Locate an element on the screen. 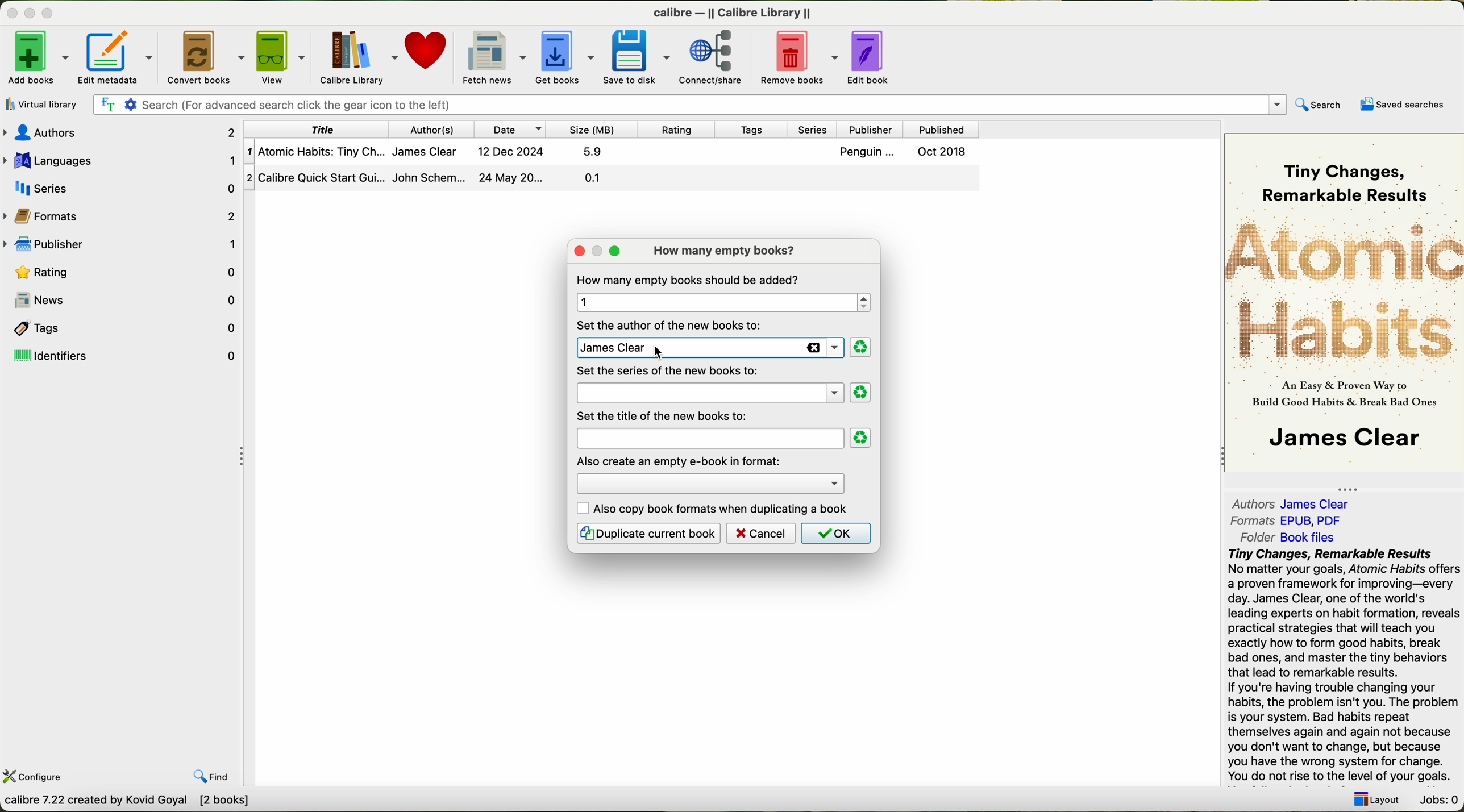  close popup is located at coordinates (576, 249).